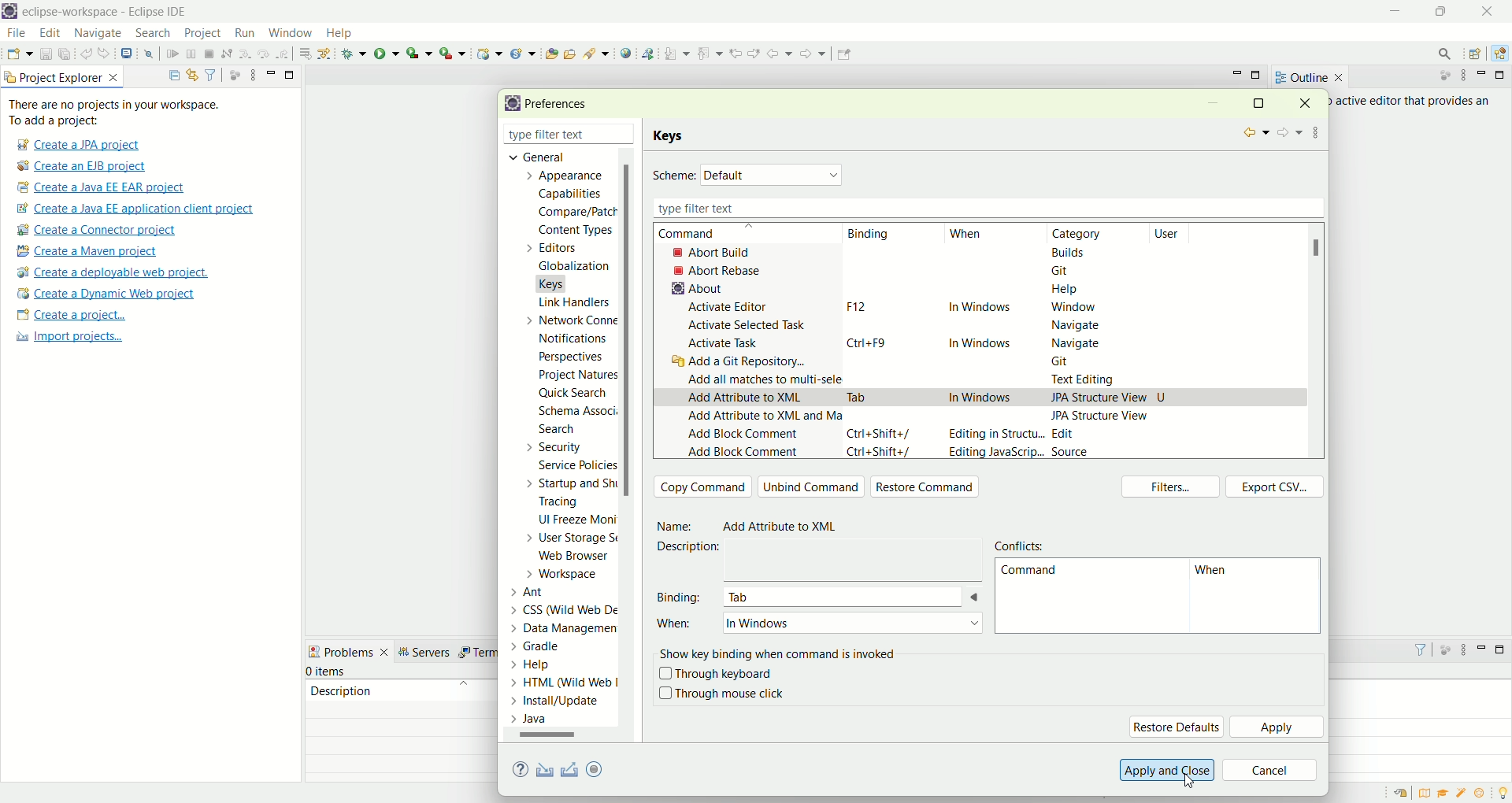 This screenshot has height=803, width=1512. Describe the element at coordinates (739, 54) in the screenshot. I see `previous edit location` at that location.